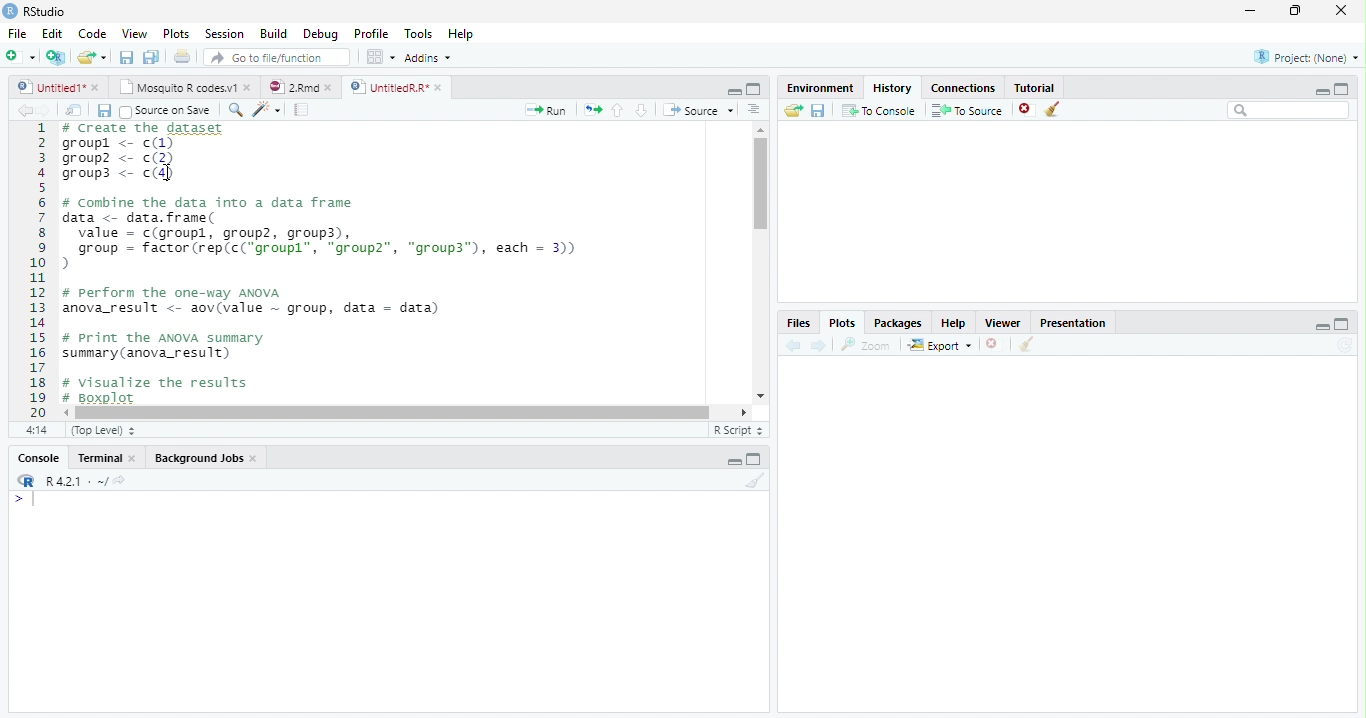 This screenshot has height=718, width=1366. Describe the element at coordinates (700, 111) in the screenshot. I see `Source` at that location.